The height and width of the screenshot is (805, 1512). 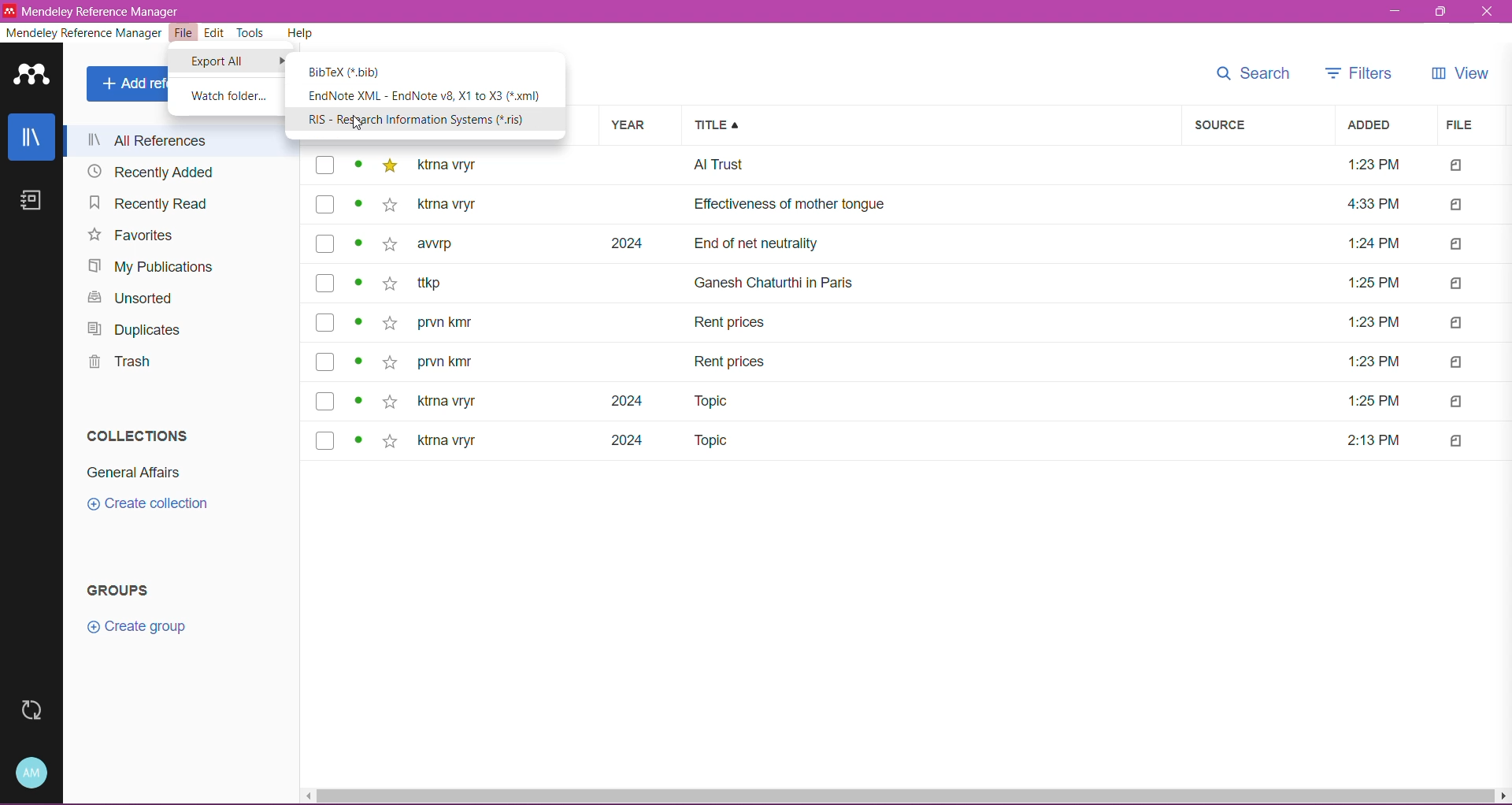 I want to click on prvn kmr Rent prices 1:23 PM, so click(x=910, y=364).